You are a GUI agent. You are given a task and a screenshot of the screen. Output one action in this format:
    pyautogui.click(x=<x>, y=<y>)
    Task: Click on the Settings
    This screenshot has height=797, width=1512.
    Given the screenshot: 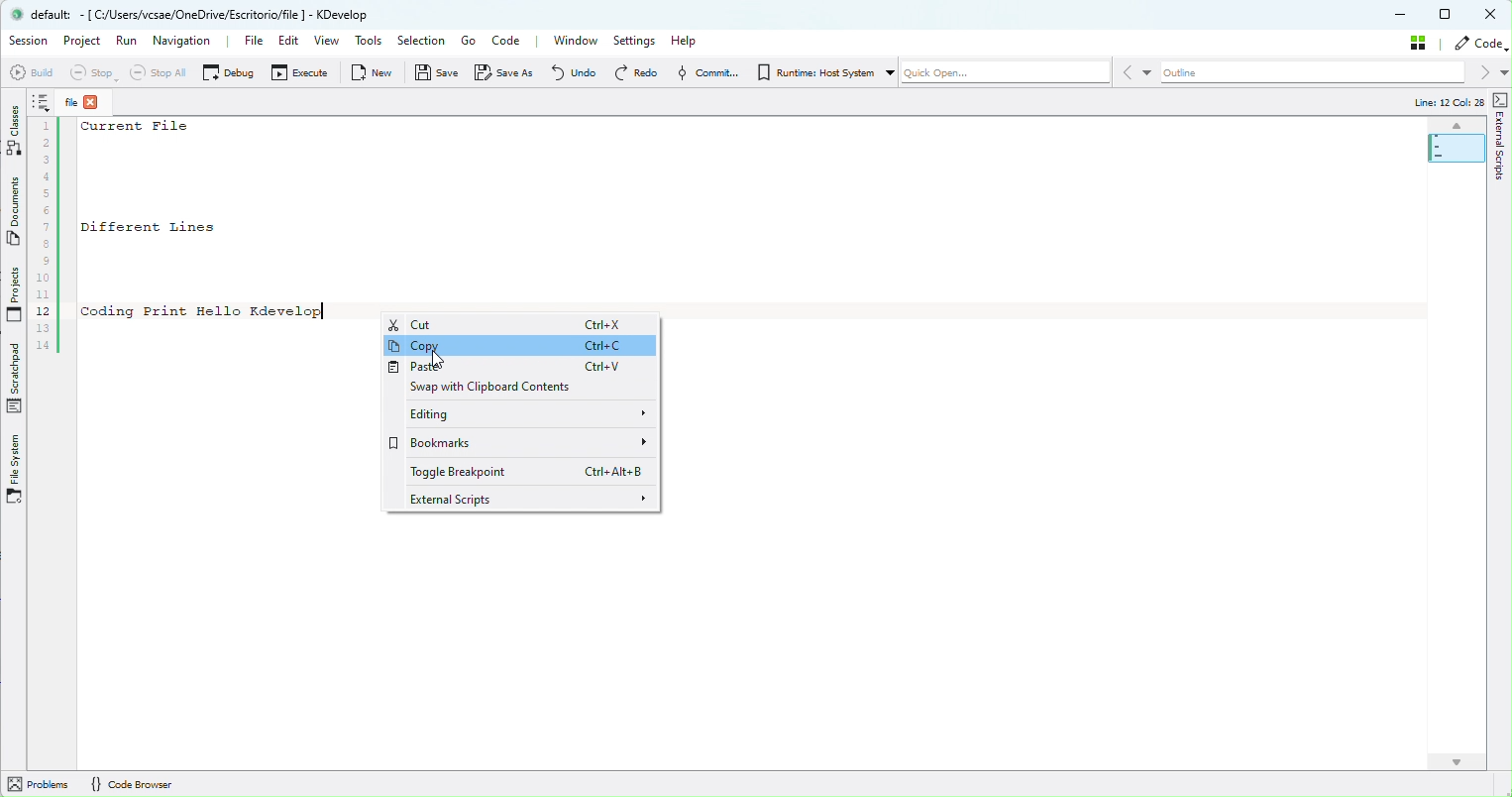 What is the action you would take?
    pyautogui.click(x=634, y=42)
    